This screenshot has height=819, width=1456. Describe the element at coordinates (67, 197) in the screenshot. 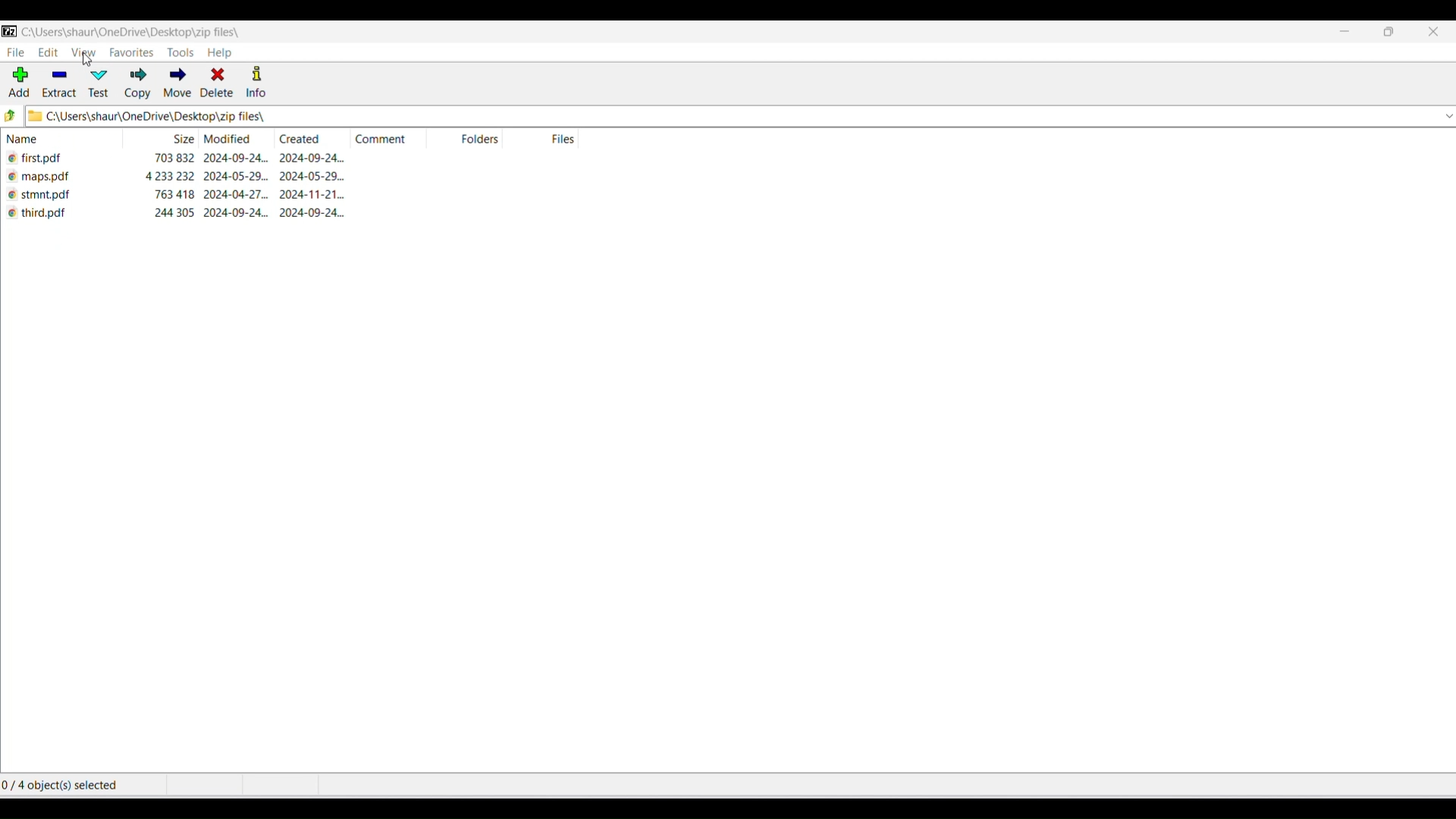

I see `file name` at that location.